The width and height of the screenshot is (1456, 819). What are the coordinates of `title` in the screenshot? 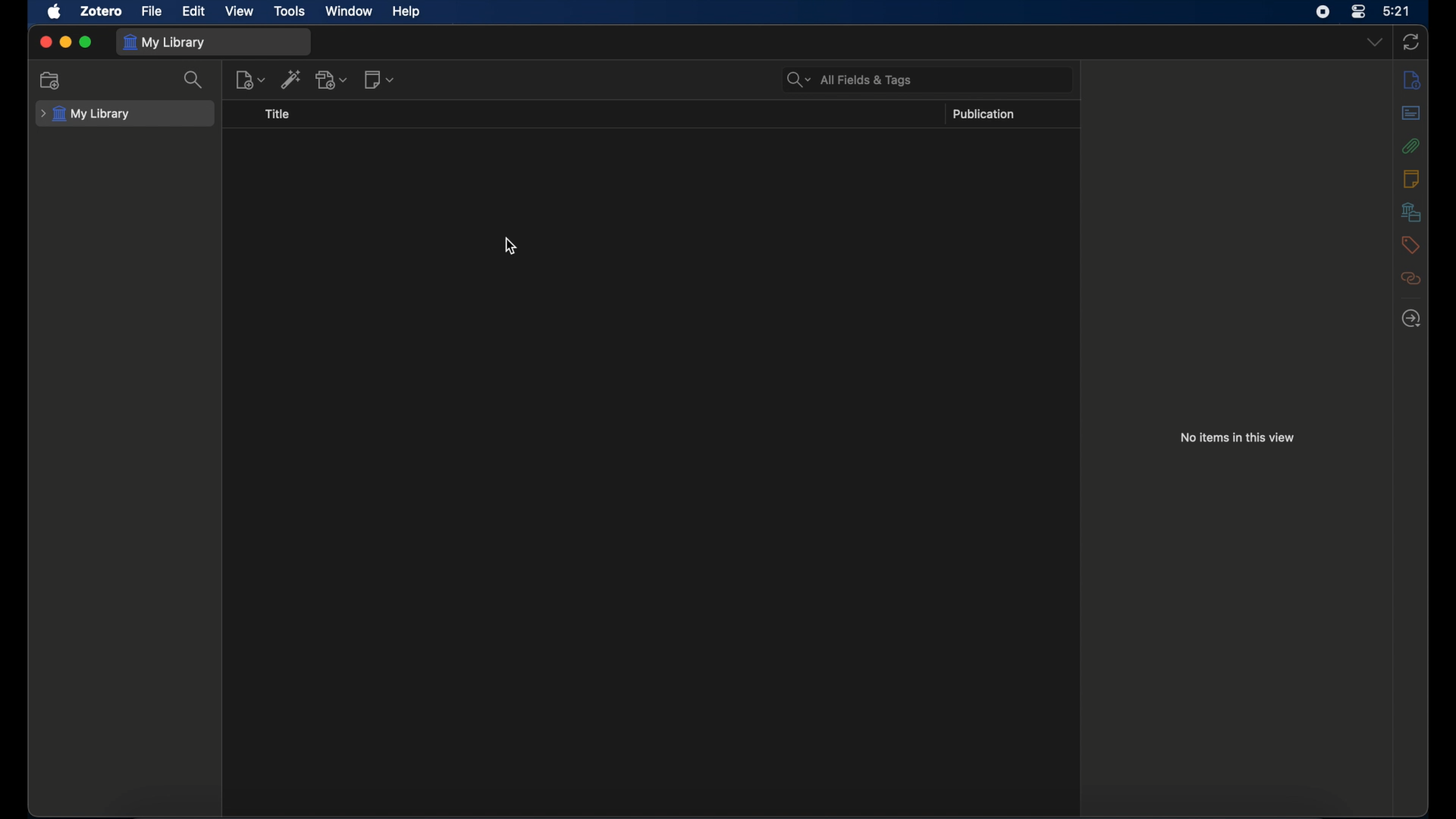 It's located at (278, 114).